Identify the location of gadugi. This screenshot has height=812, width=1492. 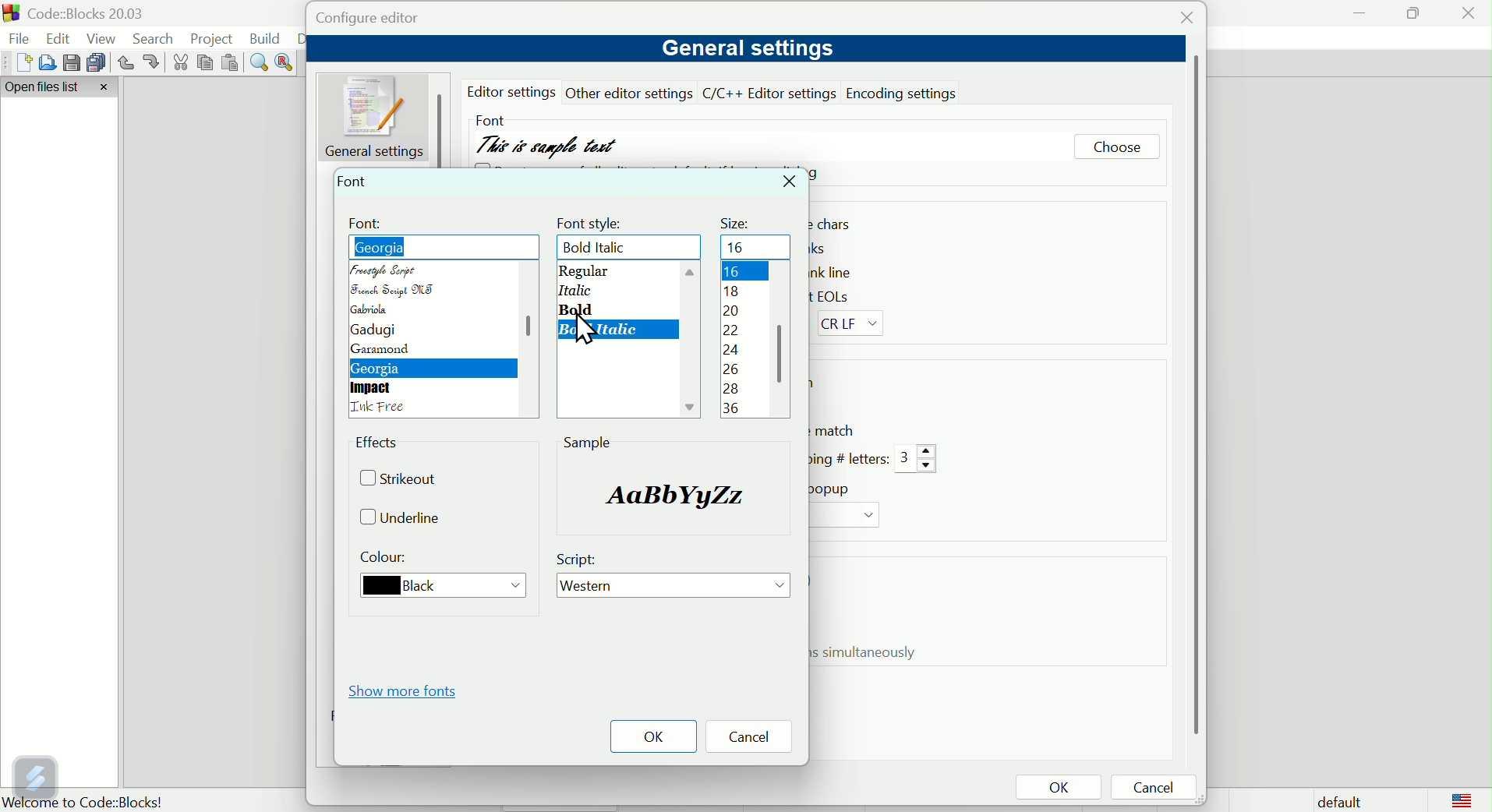
(371, 330).